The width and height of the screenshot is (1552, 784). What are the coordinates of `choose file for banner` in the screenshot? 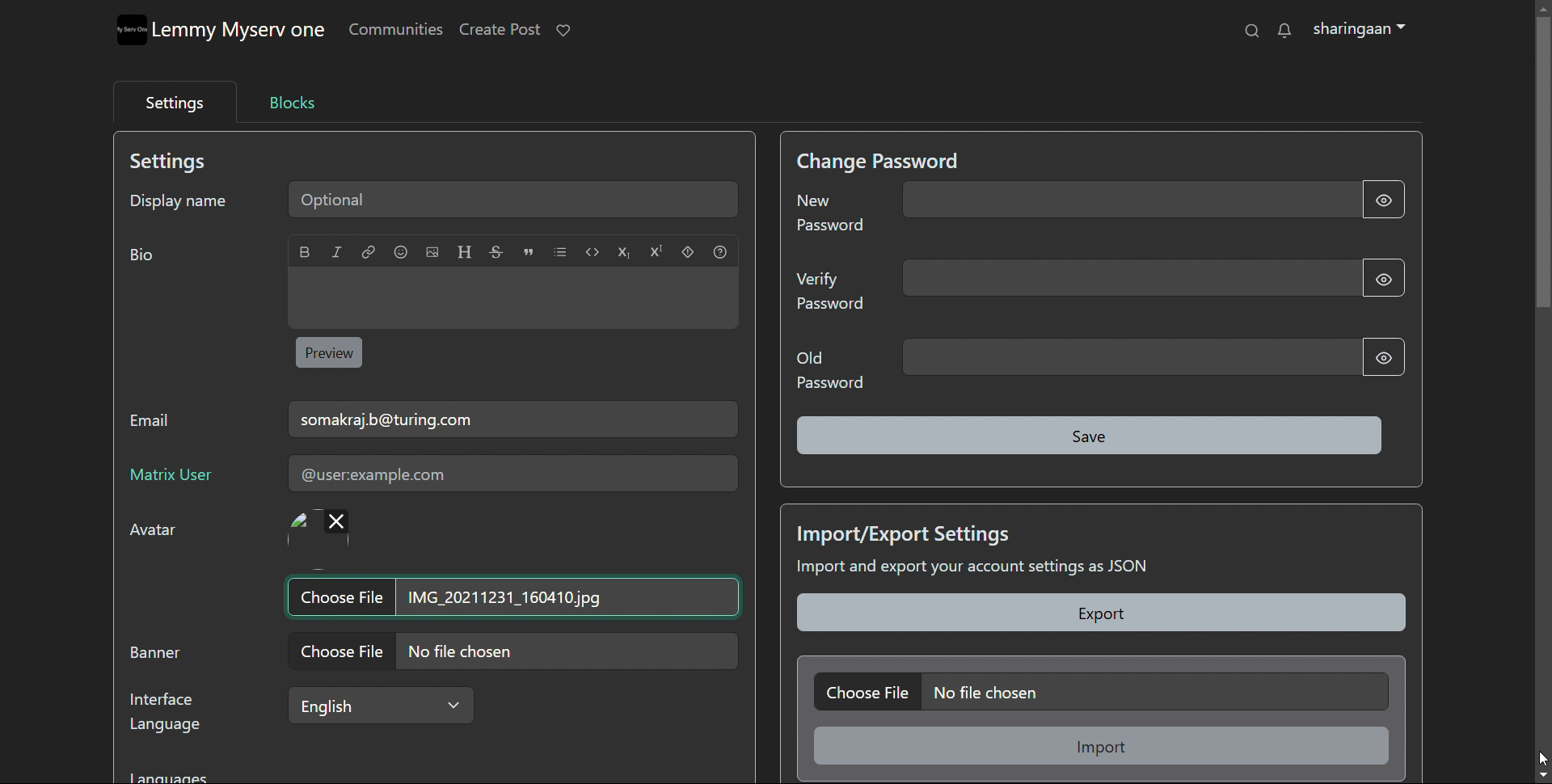 It's located at (521, 651).